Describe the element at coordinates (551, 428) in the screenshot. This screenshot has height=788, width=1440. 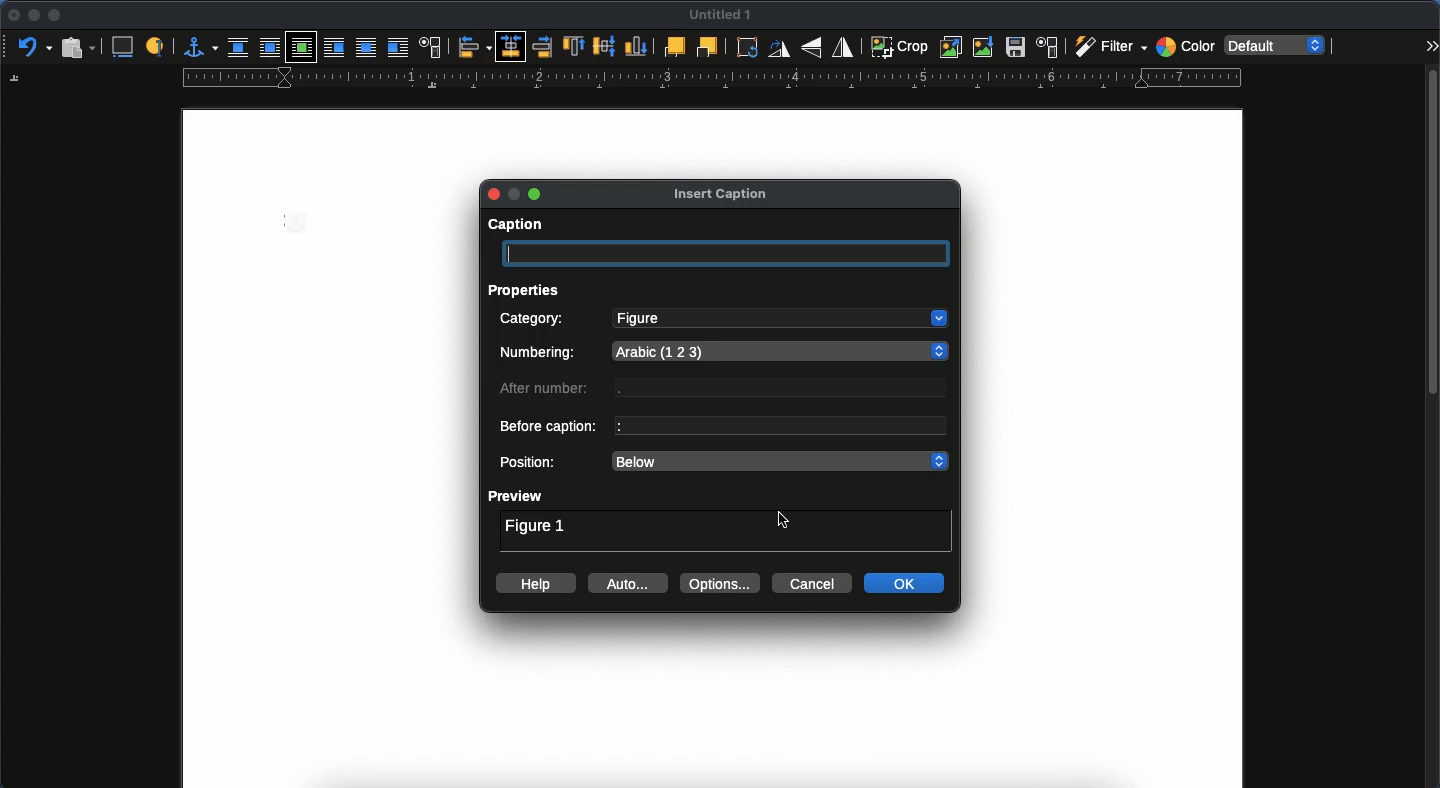
I see `before caption` at that location.